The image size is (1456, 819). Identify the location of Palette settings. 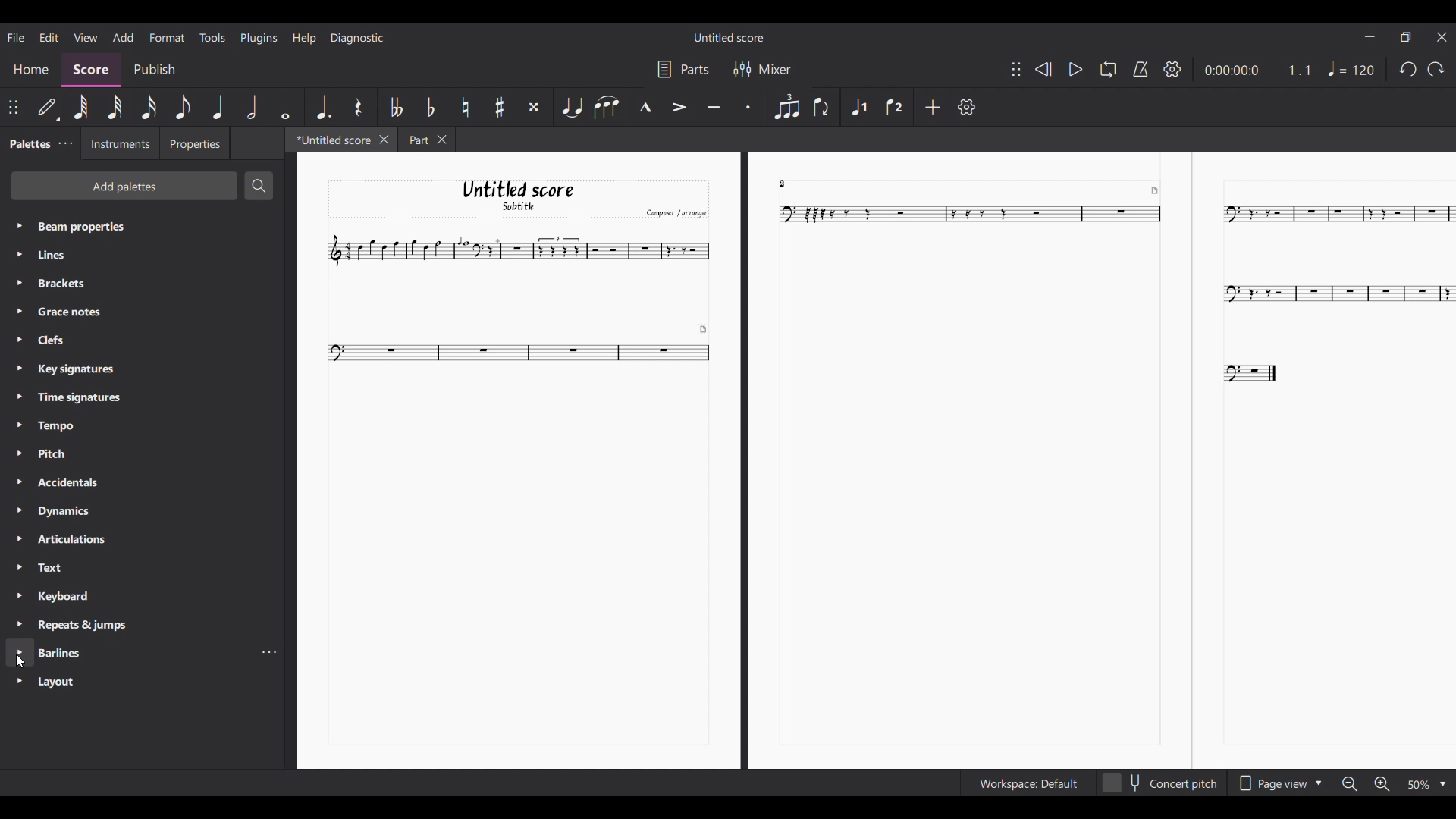
(55, 480).